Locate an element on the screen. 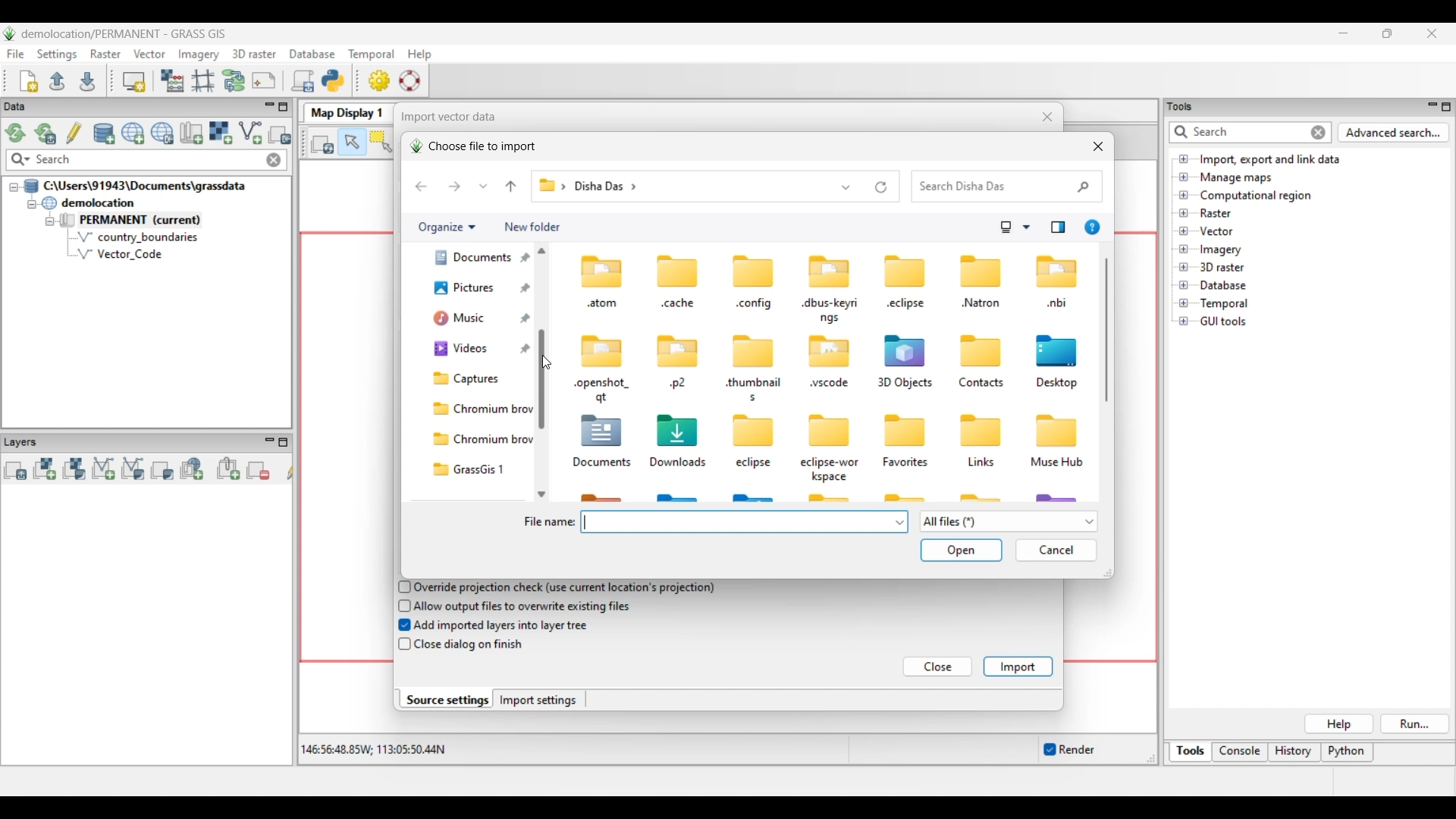 The width and height of the screenshot is (1456, 819). tools is located at coordinates (1185, 105).